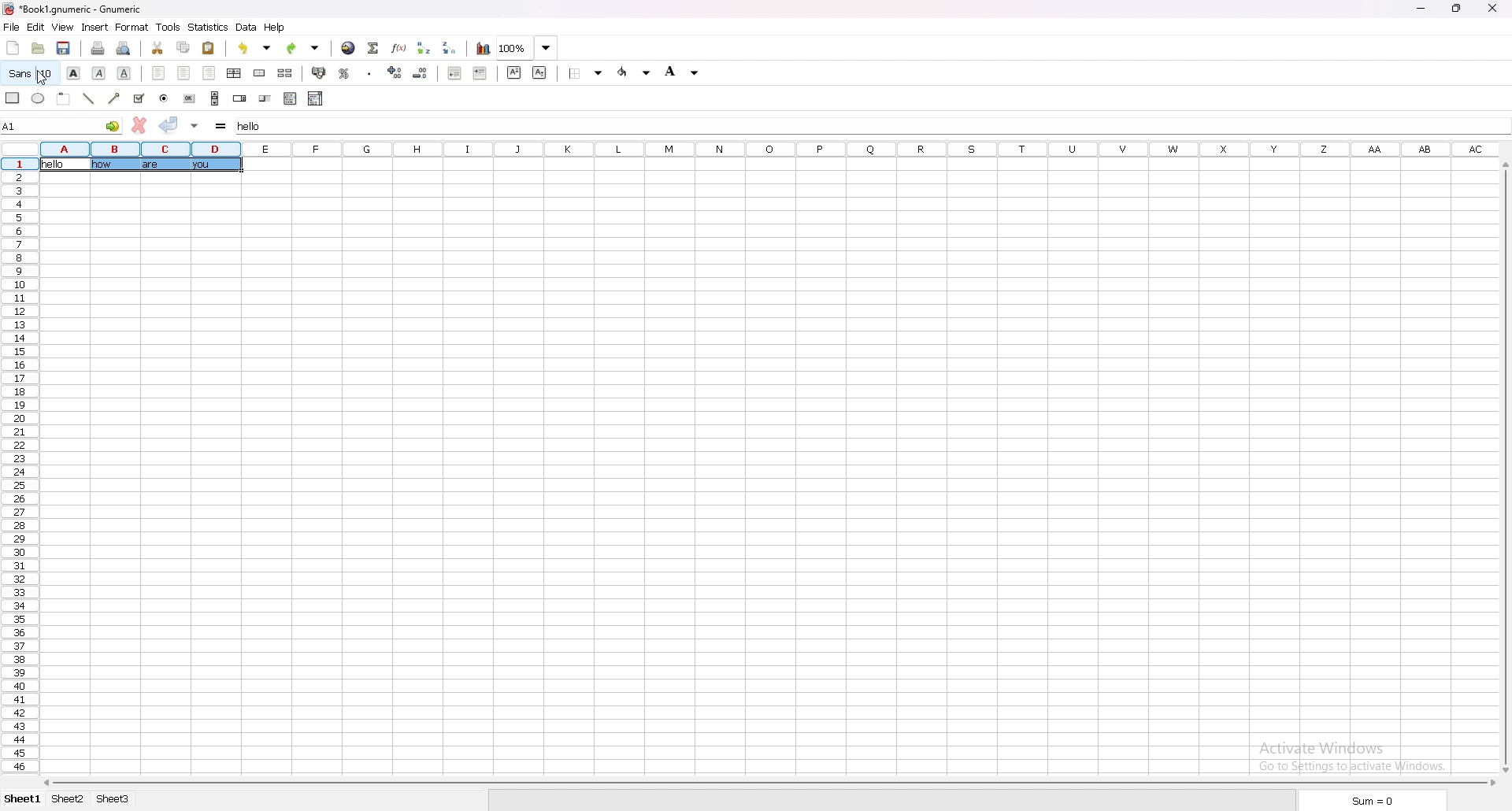 The width and height of the screenshot is (1512, 811). Describe the element at coordinates (29, 73) in the screenshot. I see `font` at that location.